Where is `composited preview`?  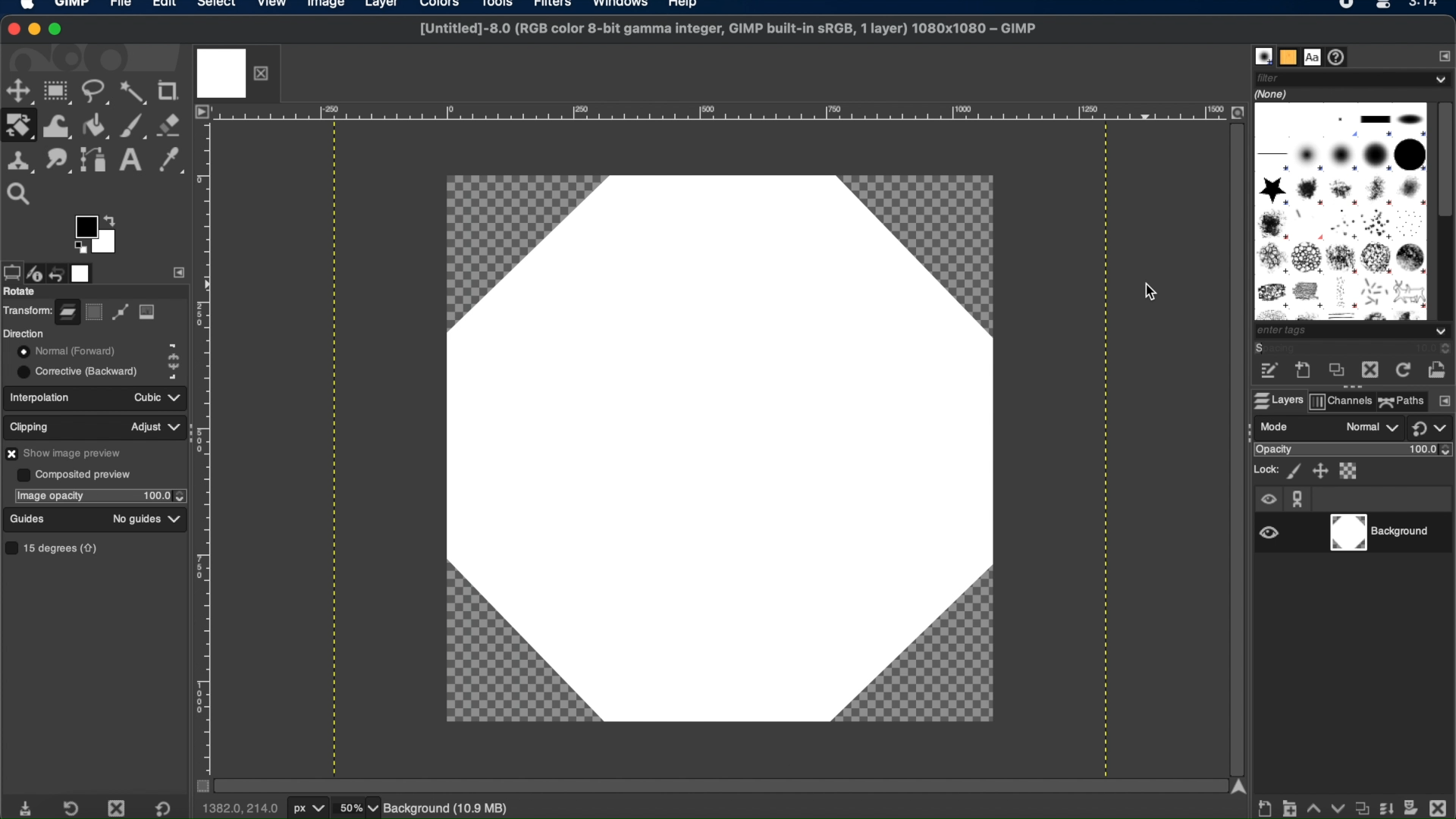
composited preview is located at coordinates (74, 474).